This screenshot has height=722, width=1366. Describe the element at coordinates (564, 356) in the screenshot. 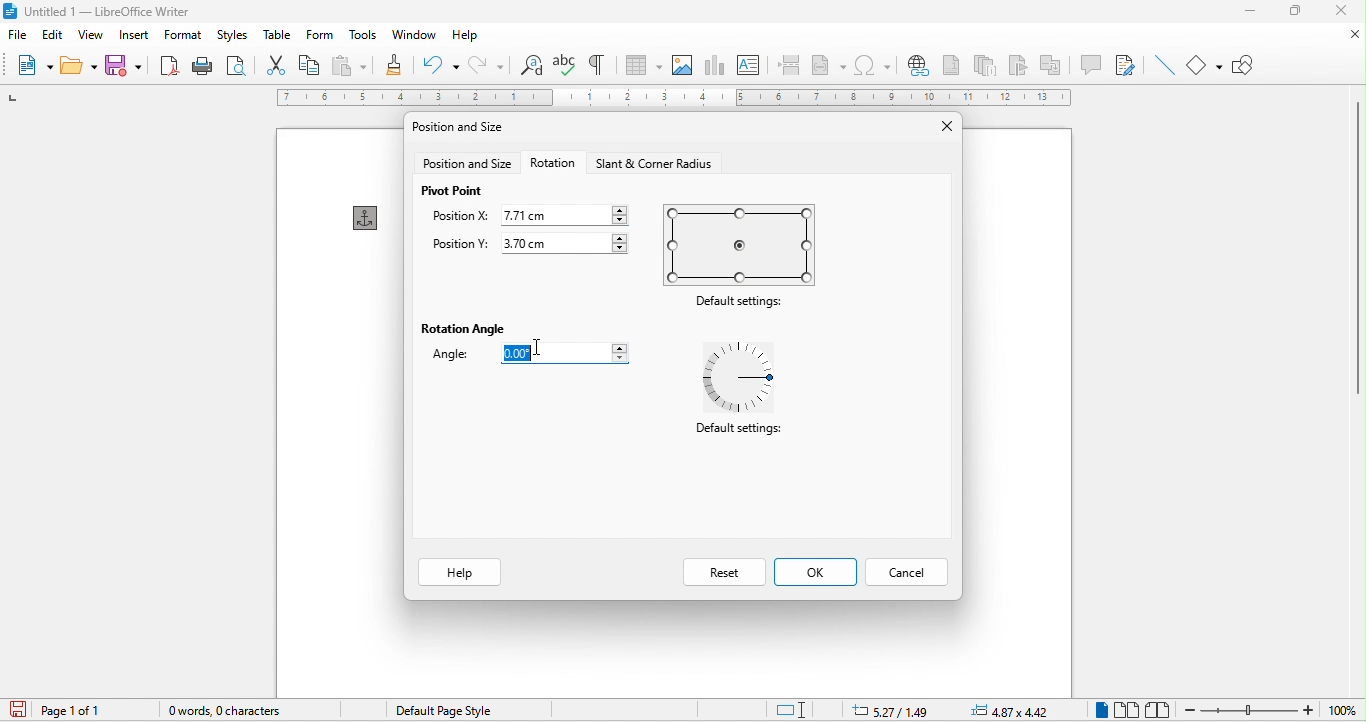

I see `0.00` at that location.